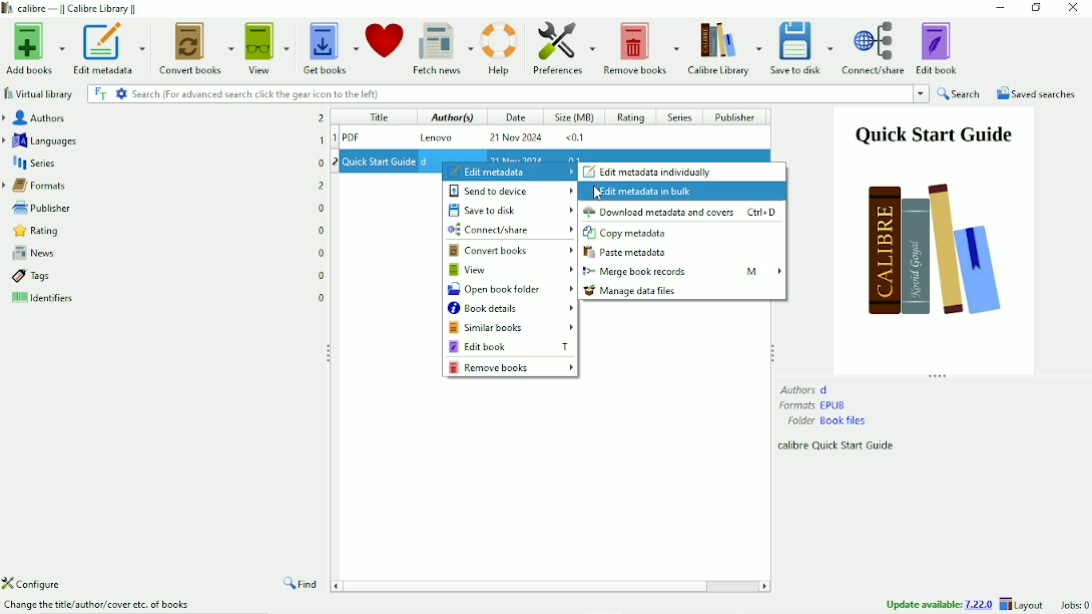  Describe the element at coordinates (511, 270) in the screenshot. I see `View` at that location.